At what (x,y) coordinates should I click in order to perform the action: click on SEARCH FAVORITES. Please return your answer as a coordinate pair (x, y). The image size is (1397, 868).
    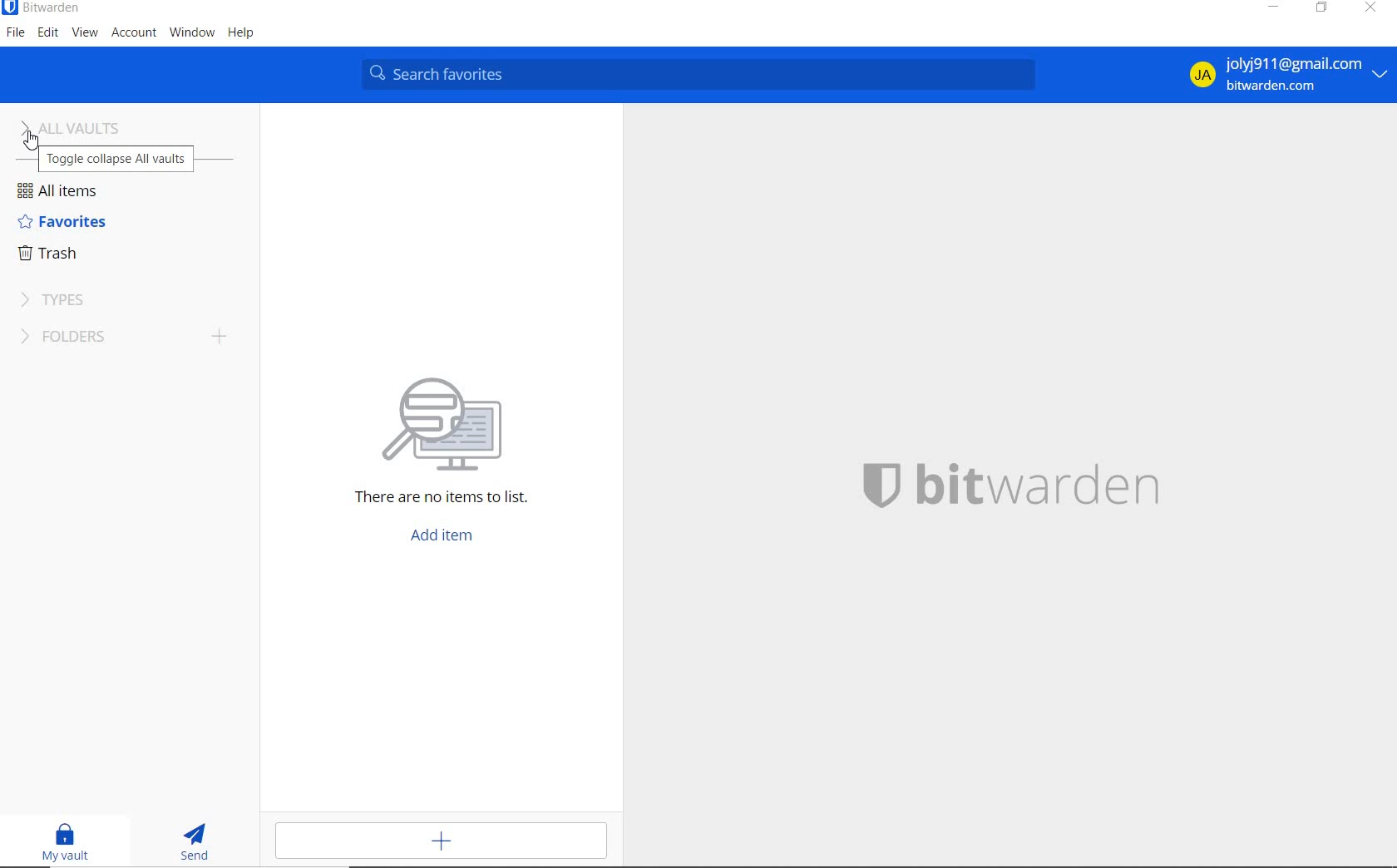
    Looking at the image, I should click on (702, 74).